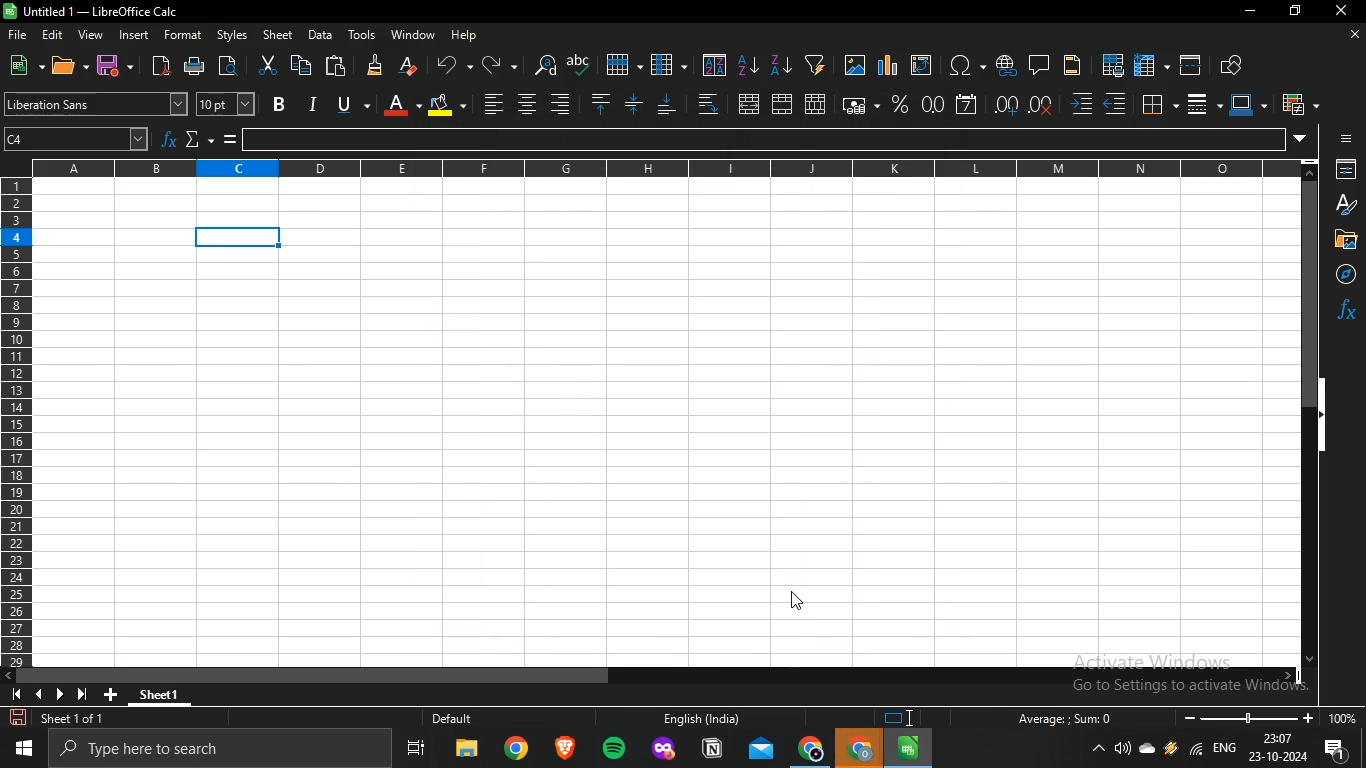  What do you see at coordinates (706, 103) in the screenshot?
I see `wrap text` at bounding box center [706, 103].